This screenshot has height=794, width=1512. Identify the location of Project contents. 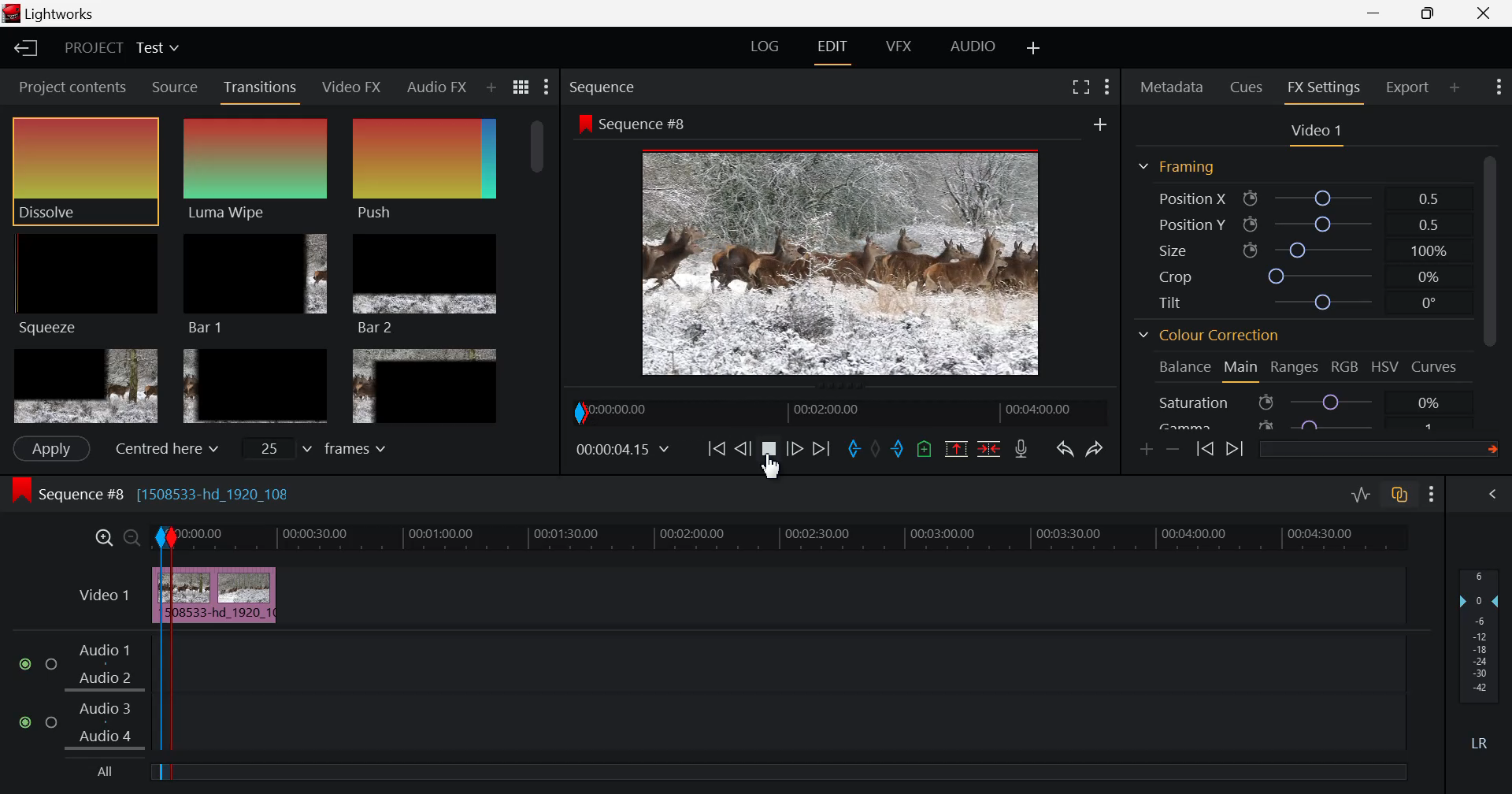
(67, 87).